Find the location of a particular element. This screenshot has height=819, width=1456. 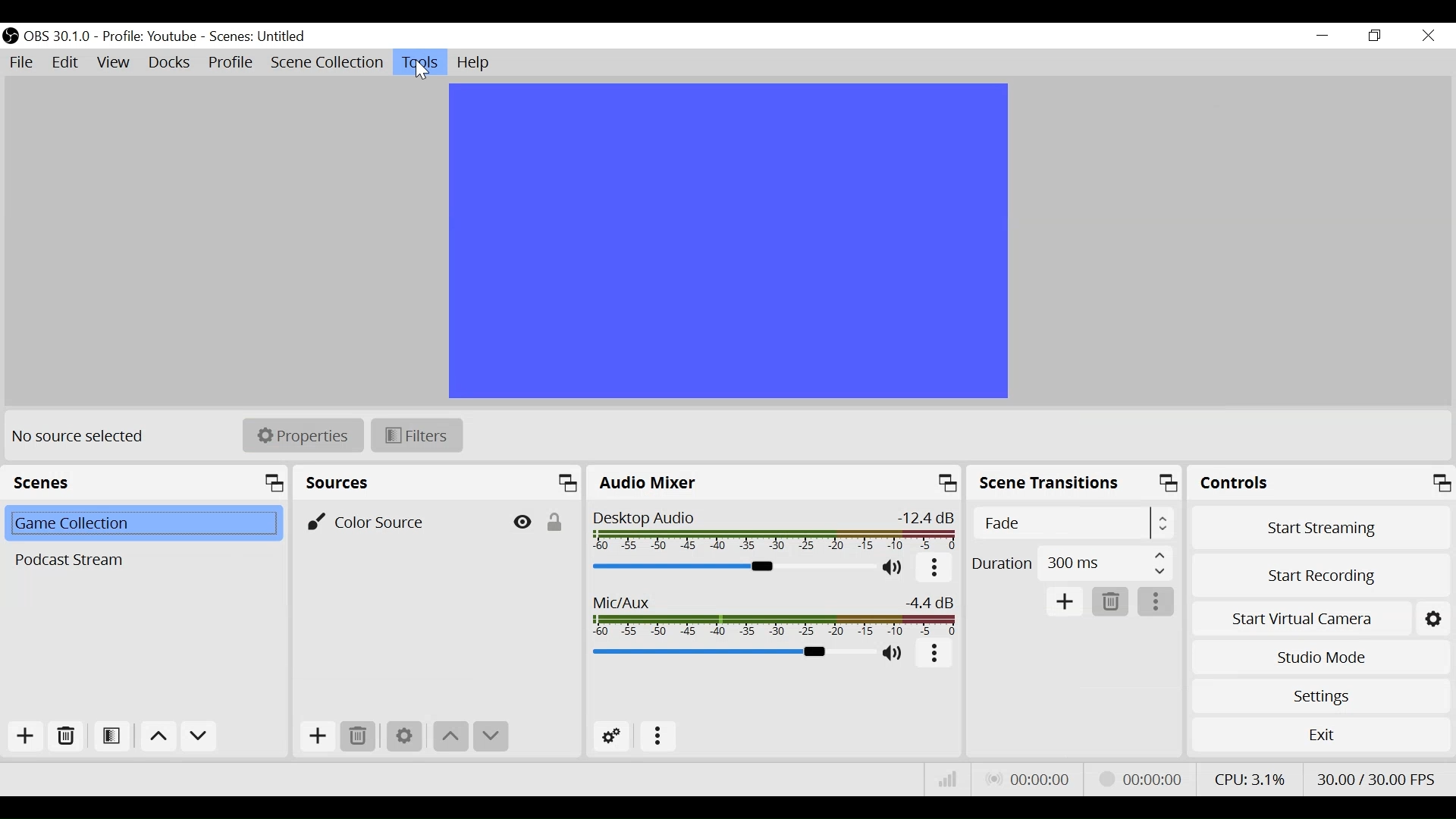

Tools is located at coordinates (420, 63).